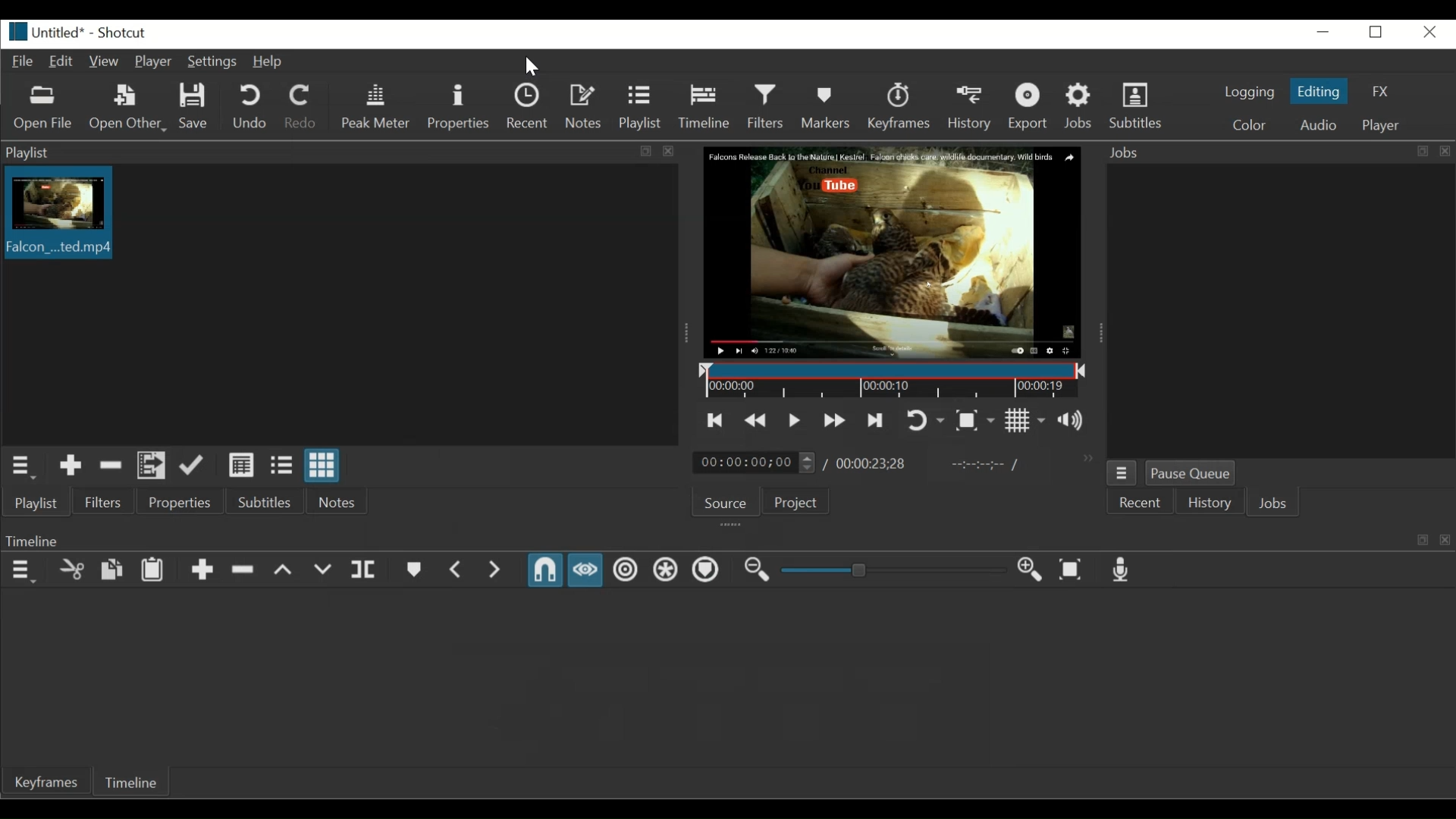 This screenshot has width=1456, height=819. Describe the element at coordinates (1249, 123) in the screenshot. I see `Color` at that location.